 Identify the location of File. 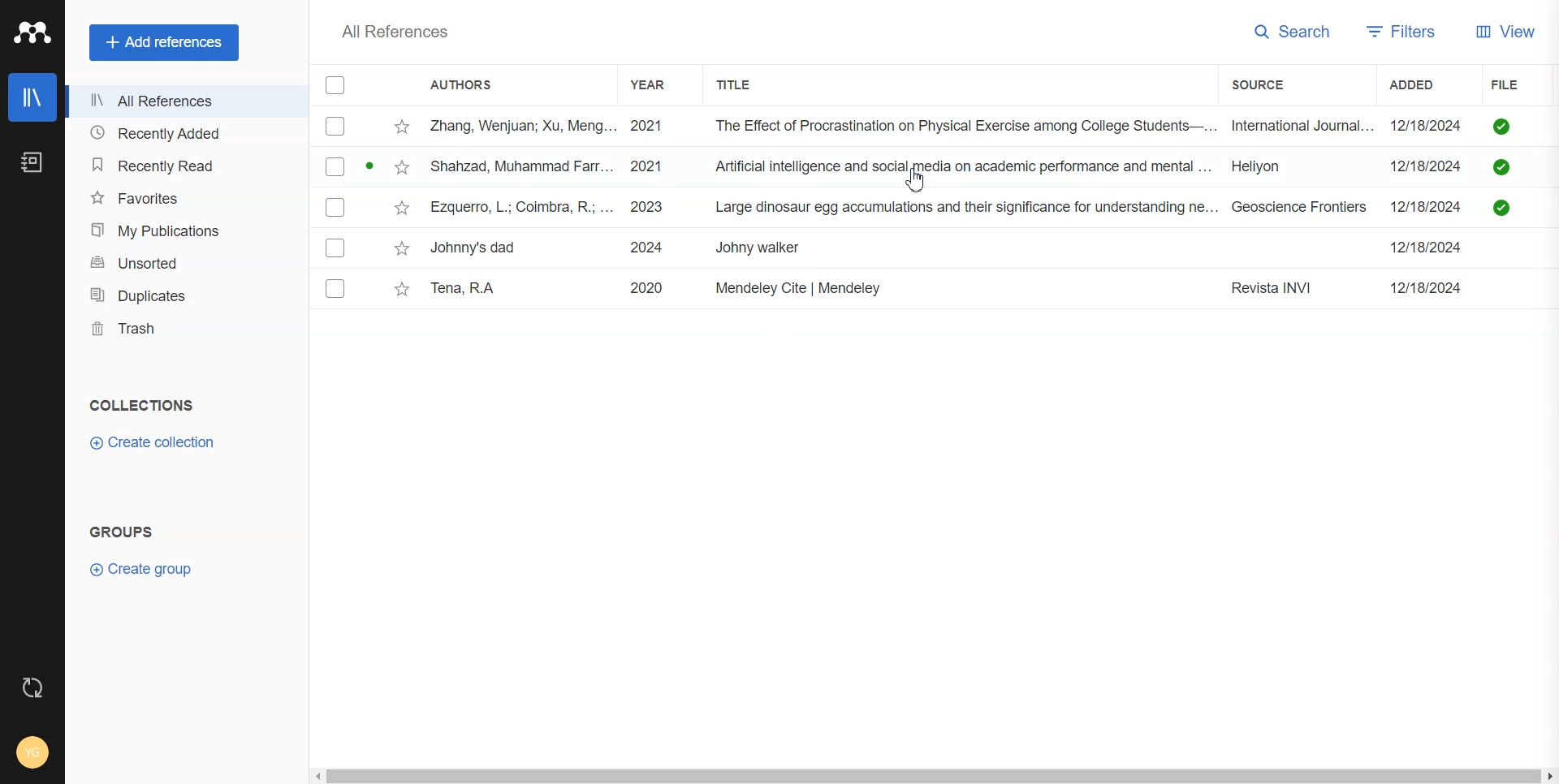
(935, 126).